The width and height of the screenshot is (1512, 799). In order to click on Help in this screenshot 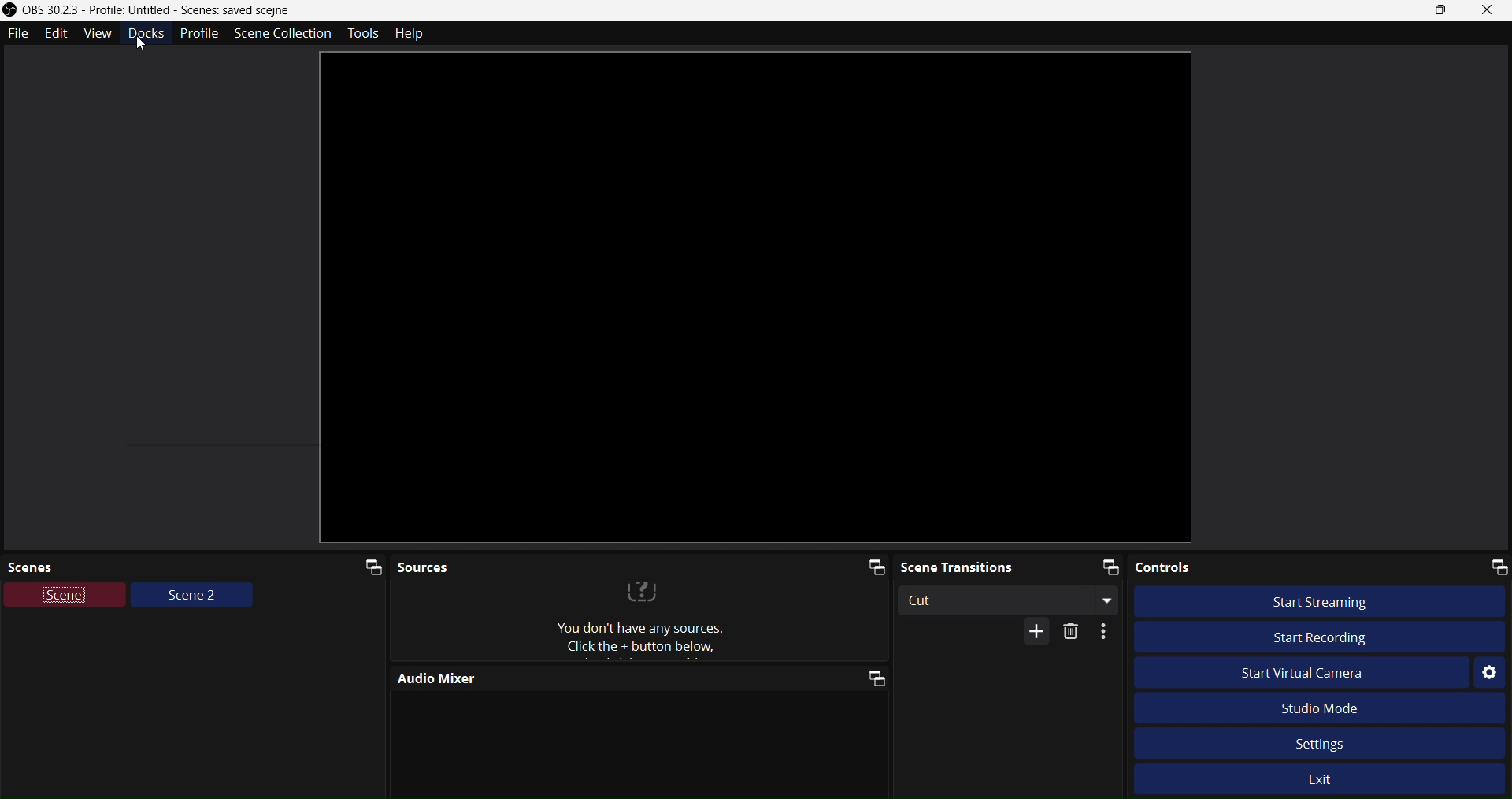, I will do `click(413, 34)`.